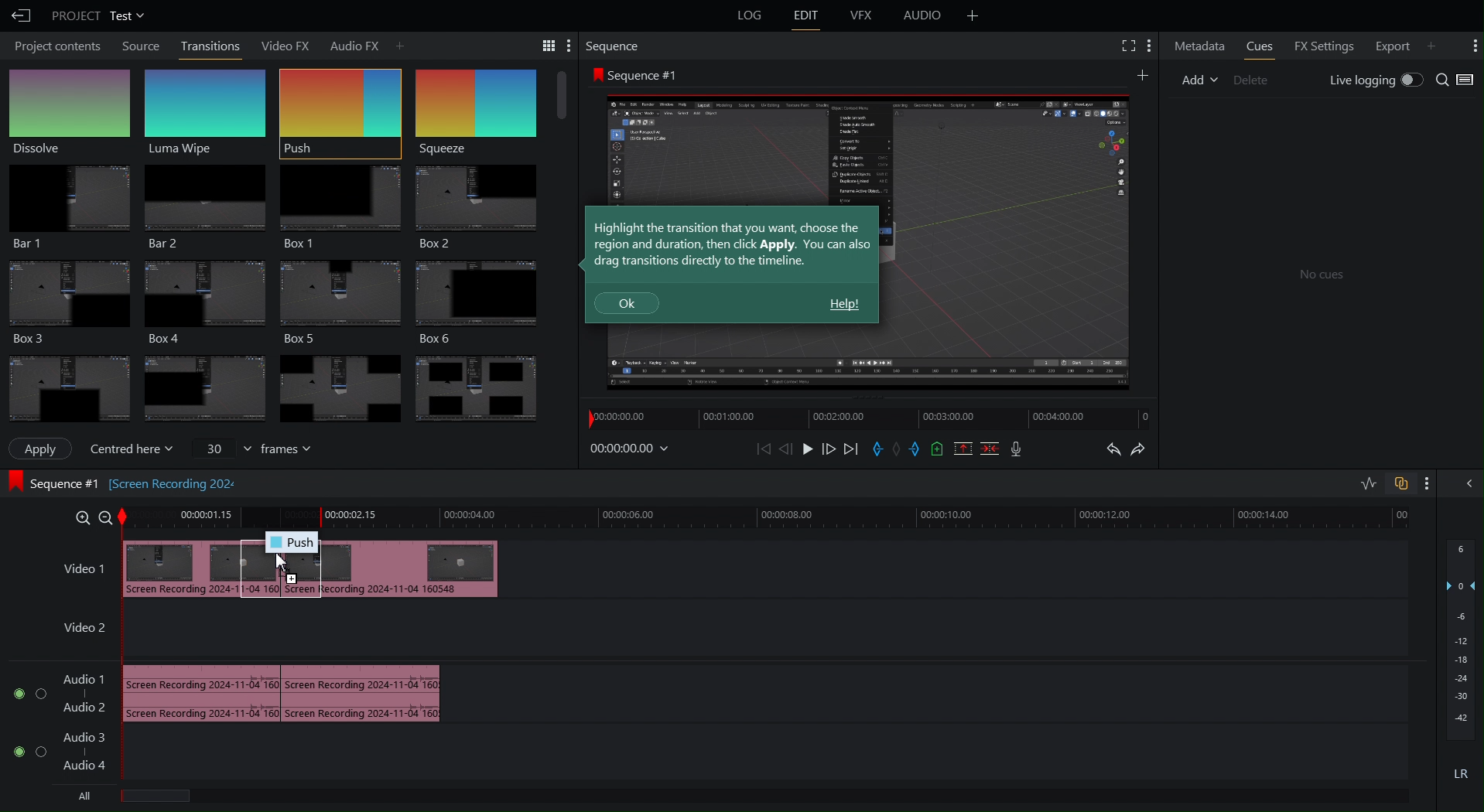 This screenshot has width=1484, height=812. What do you see at coordinates (1321, 275) in the screenshot?
I see `No cues` at bounding box center [1321, 275].